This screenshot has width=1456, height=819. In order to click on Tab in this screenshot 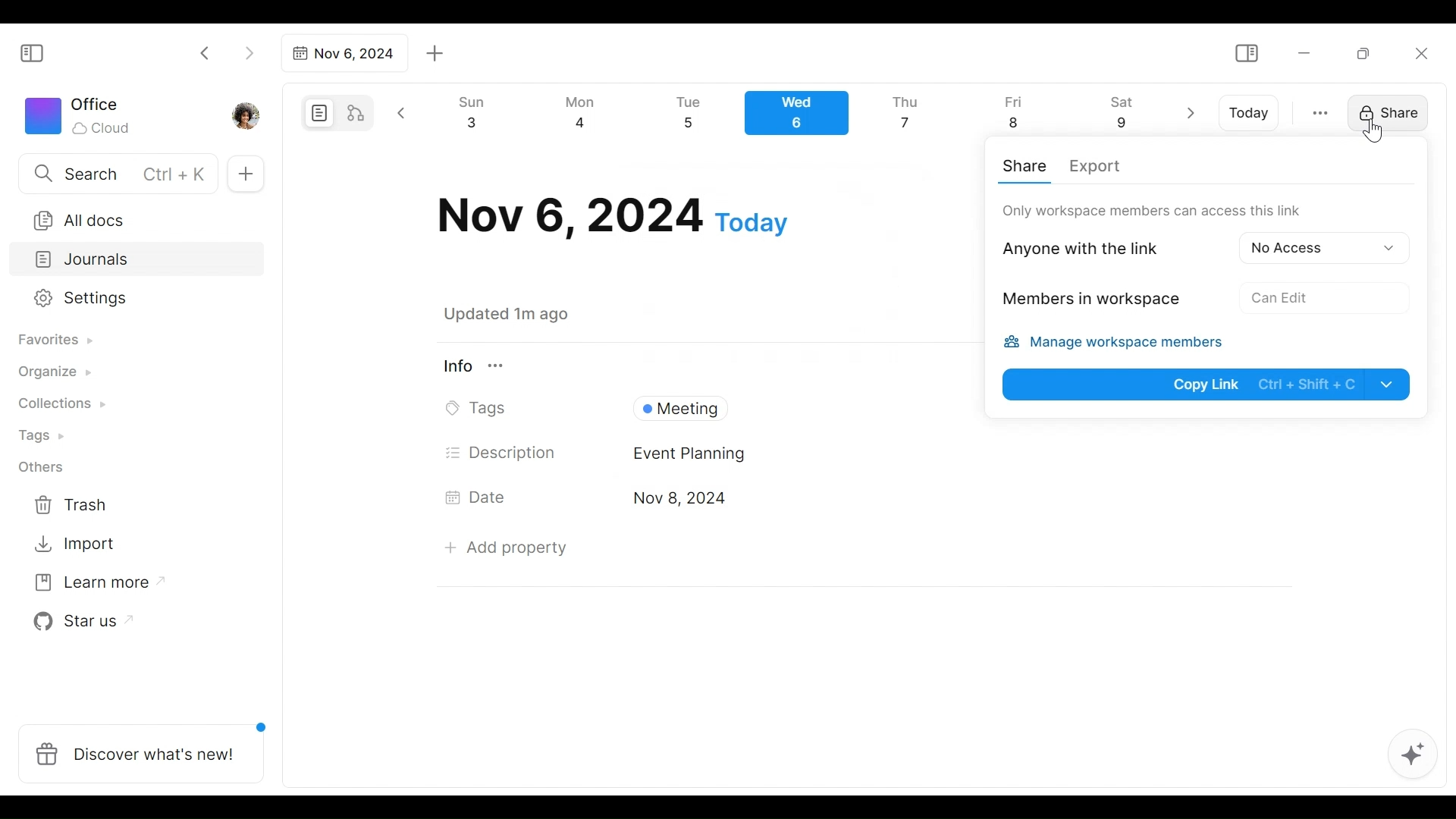, I will do `click(342, 53)`.